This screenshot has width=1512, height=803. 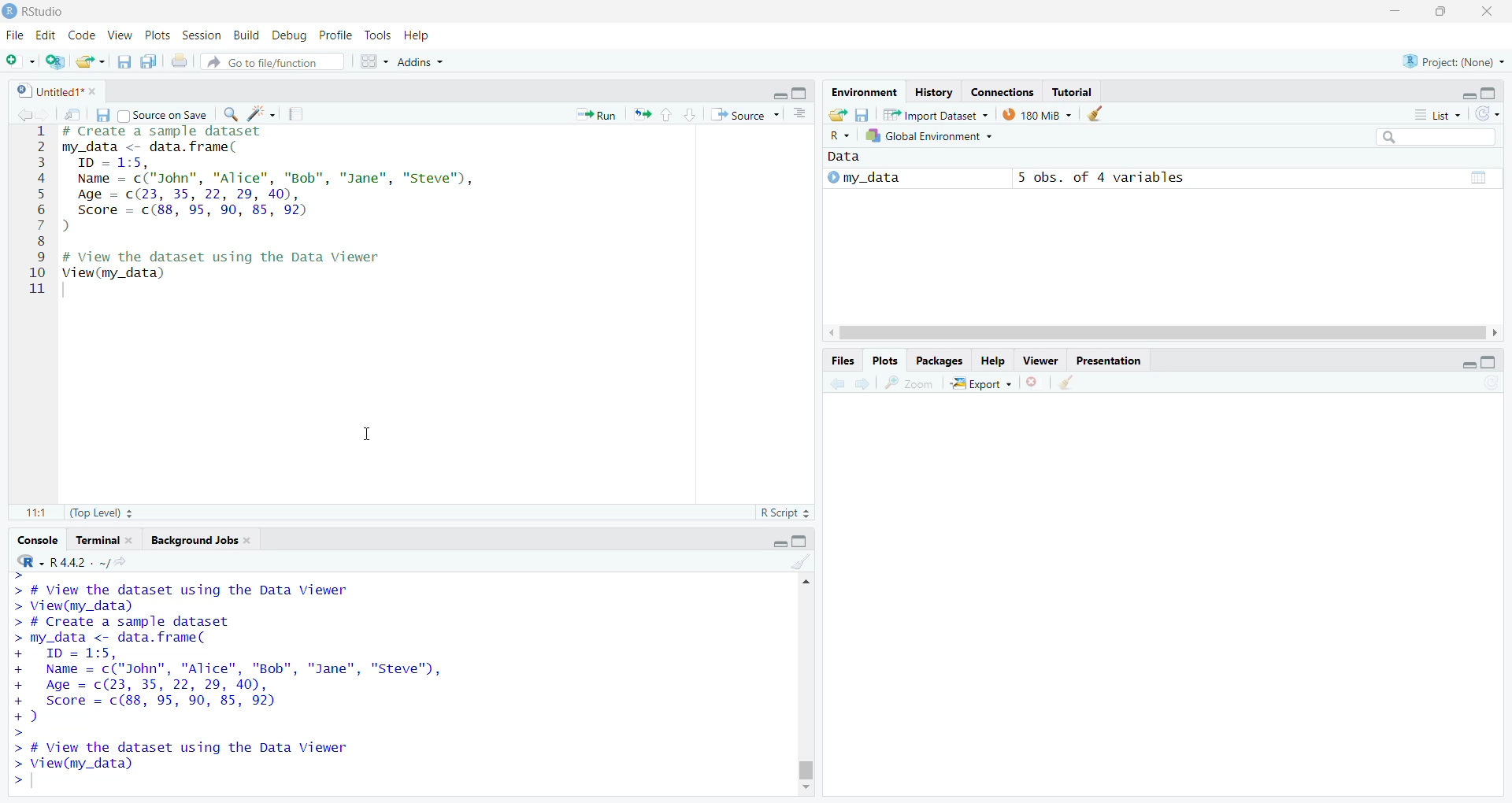 I want to click on Back , so click(x=835, y=383).